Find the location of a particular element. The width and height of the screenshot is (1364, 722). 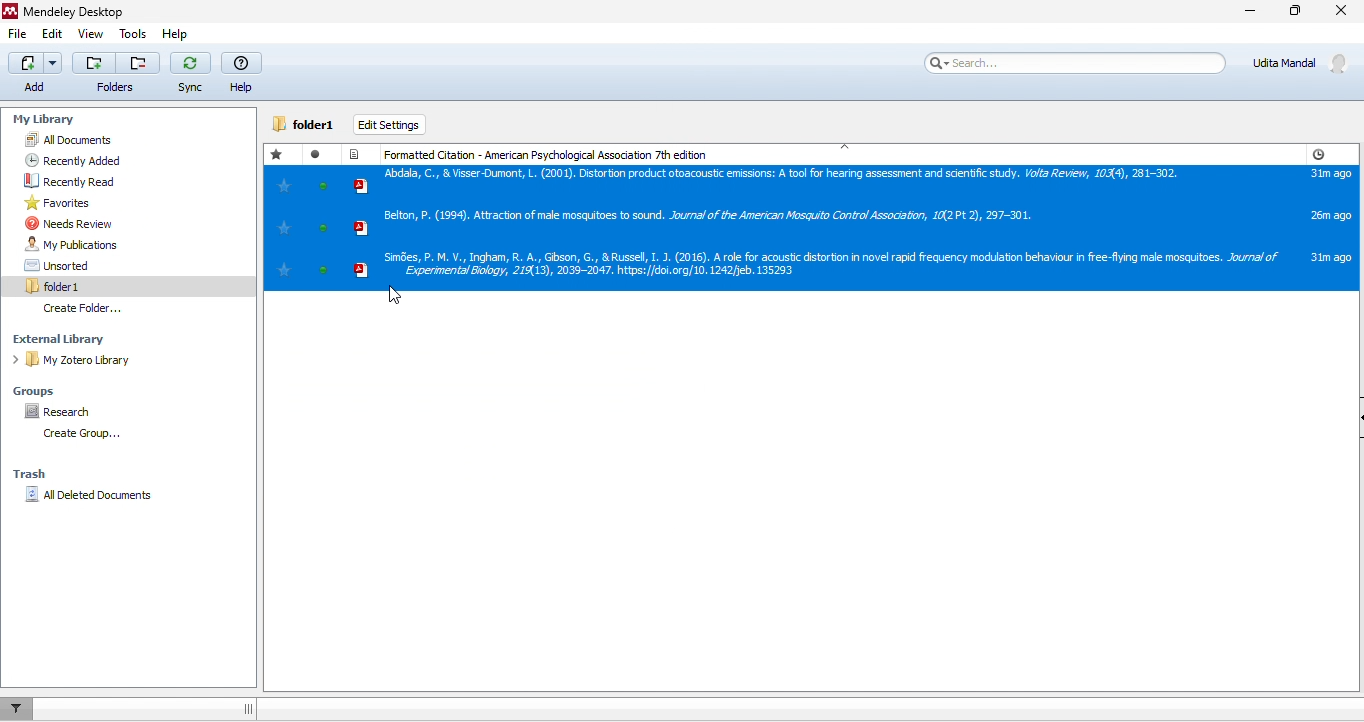

add is located at coordinates (32, 72).